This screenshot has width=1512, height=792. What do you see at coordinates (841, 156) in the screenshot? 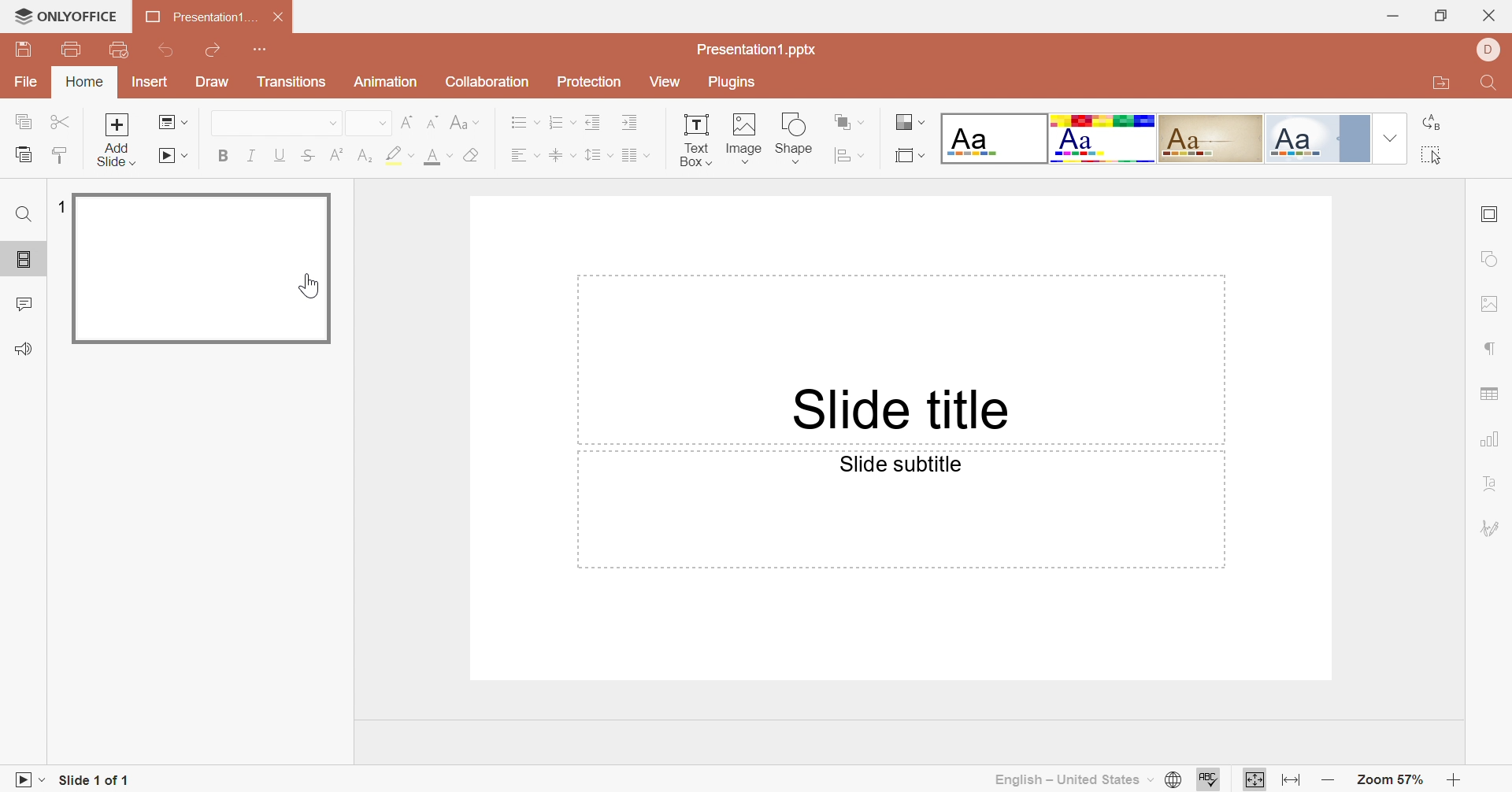
I see `Align shape` at bounding box center [841, 156].